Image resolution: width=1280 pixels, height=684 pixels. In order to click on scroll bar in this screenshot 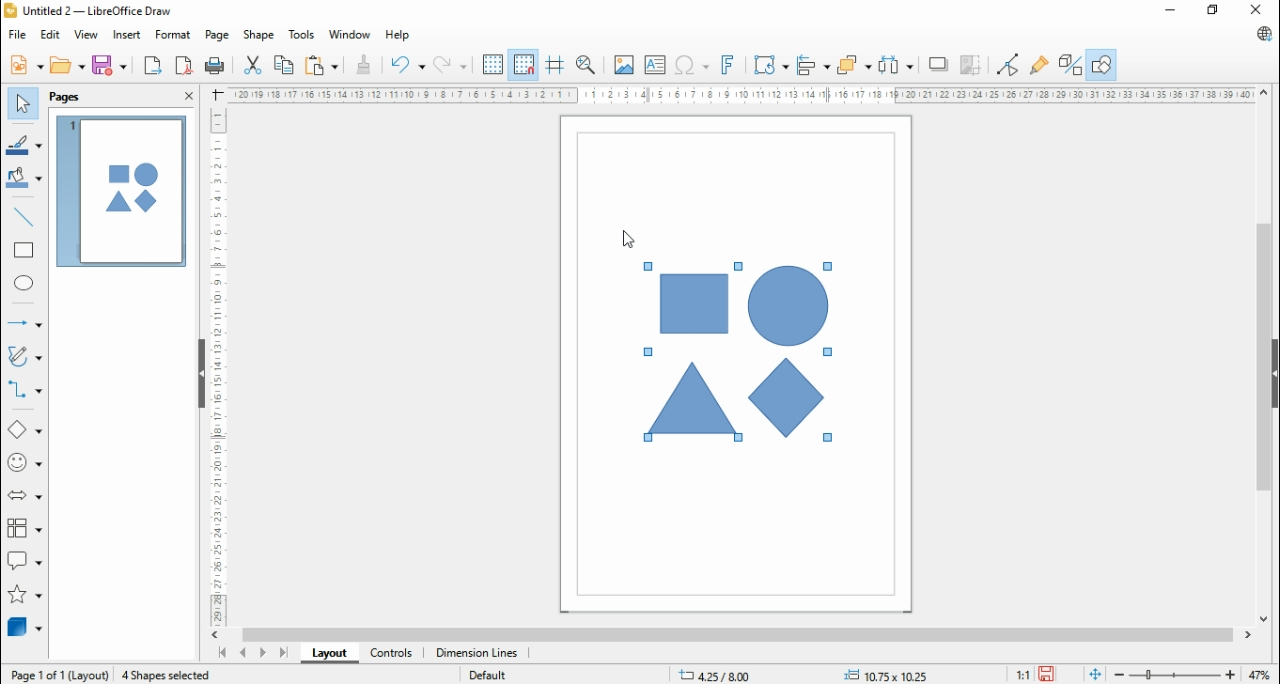, I will do `click(736, 635)`.